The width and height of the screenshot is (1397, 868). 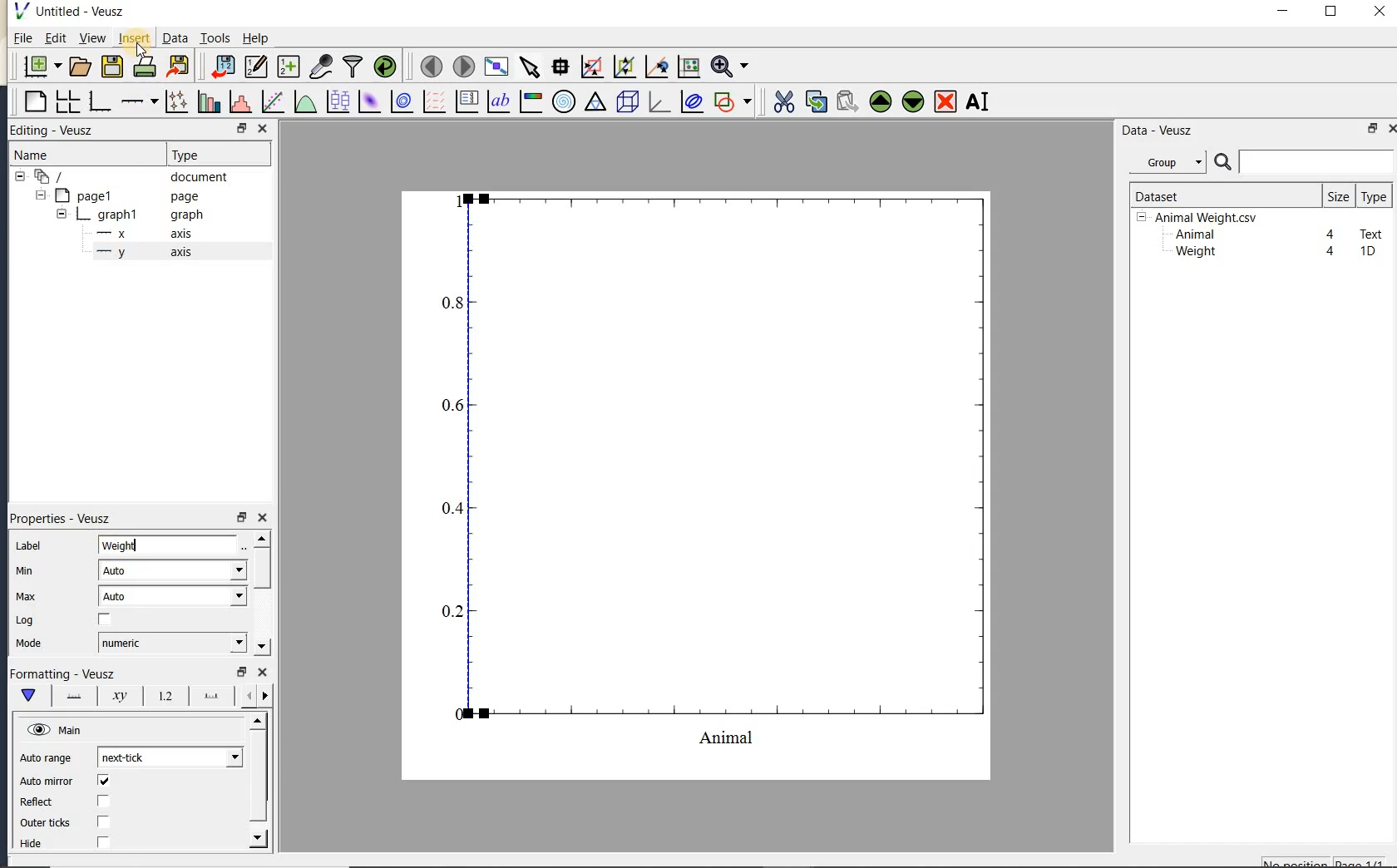 What do you see at coordinates (26, 596) in the screenshot?
I see `Max` at bounding box center [26, 596].